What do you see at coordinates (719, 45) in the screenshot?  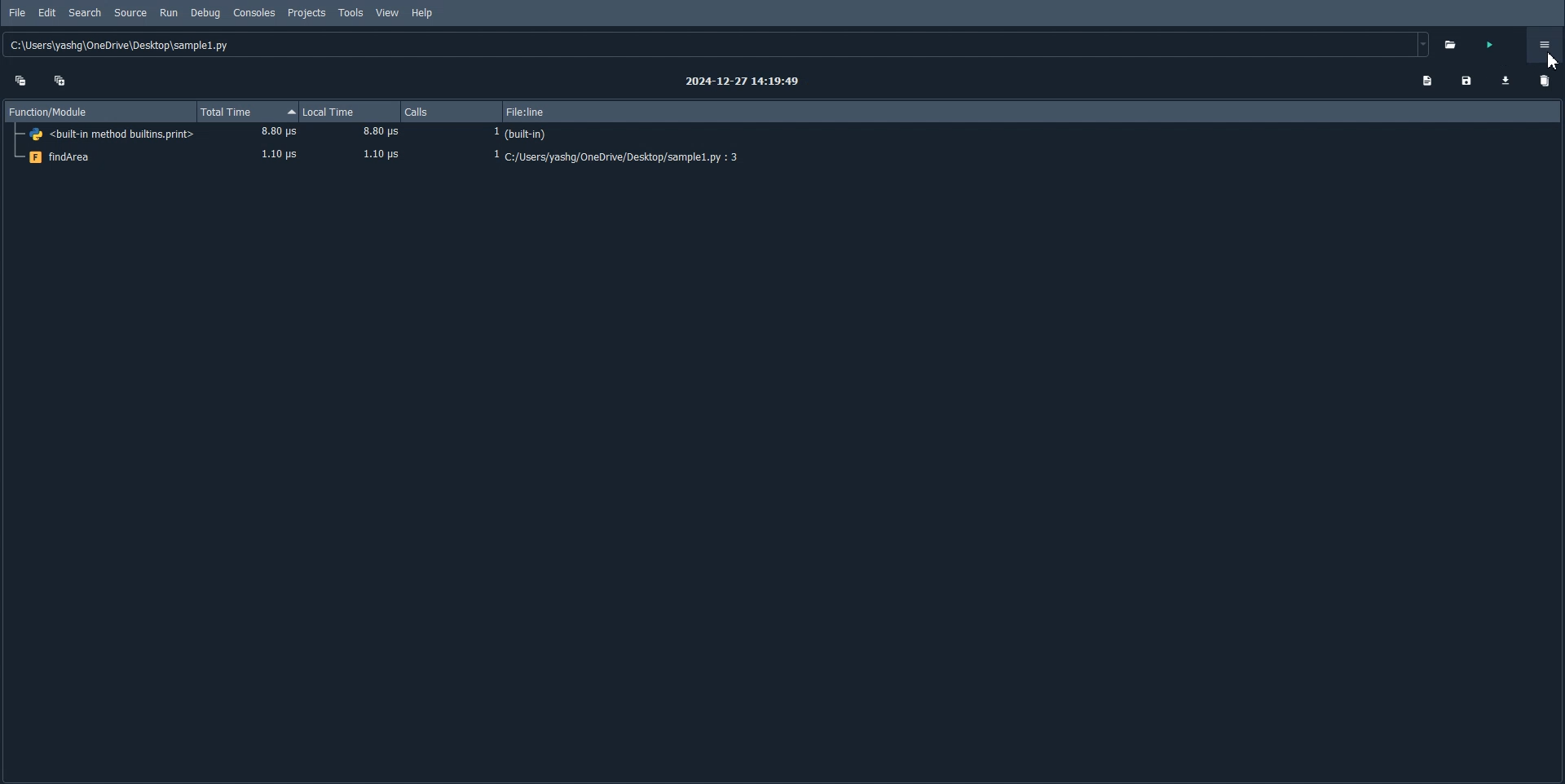 I see `File path address` at bounding box center [719, 45].